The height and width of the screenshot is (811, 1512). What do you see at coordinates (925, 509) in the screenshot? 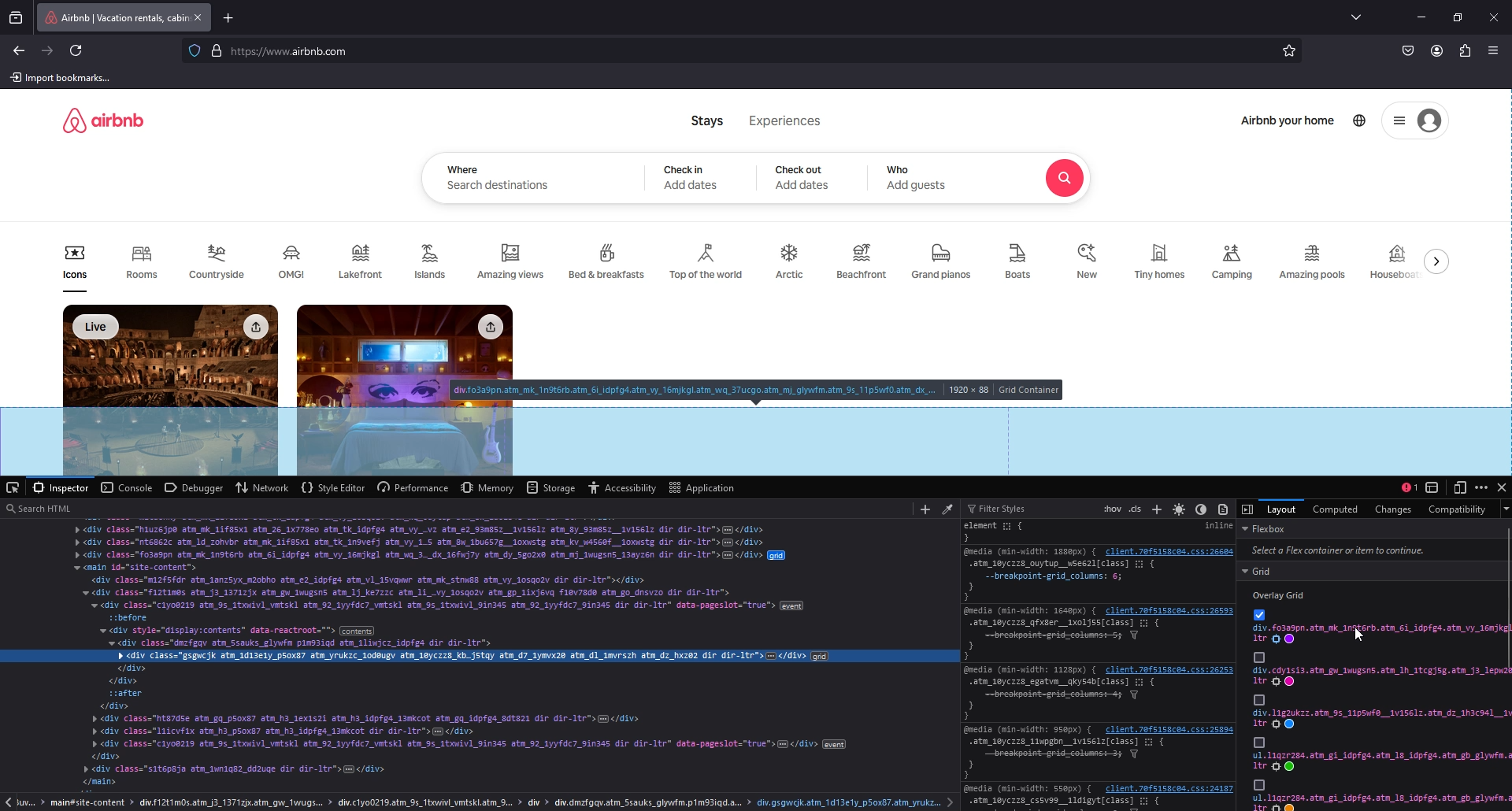
I see `create new node` at bounding box center [925, 509].